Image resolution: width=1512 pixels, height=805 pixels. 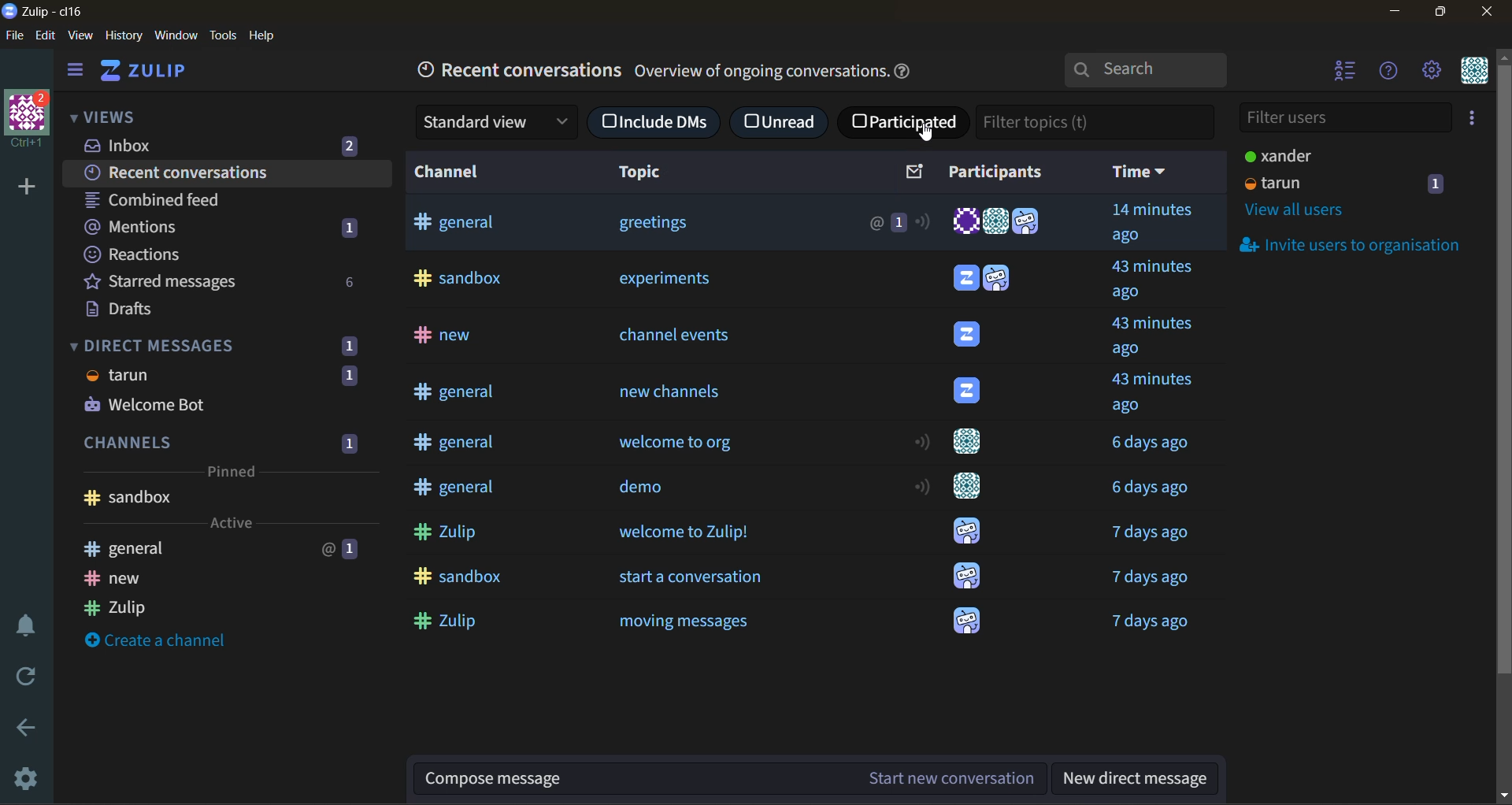 I want to click on Cursor, so click(x=923, y=135).